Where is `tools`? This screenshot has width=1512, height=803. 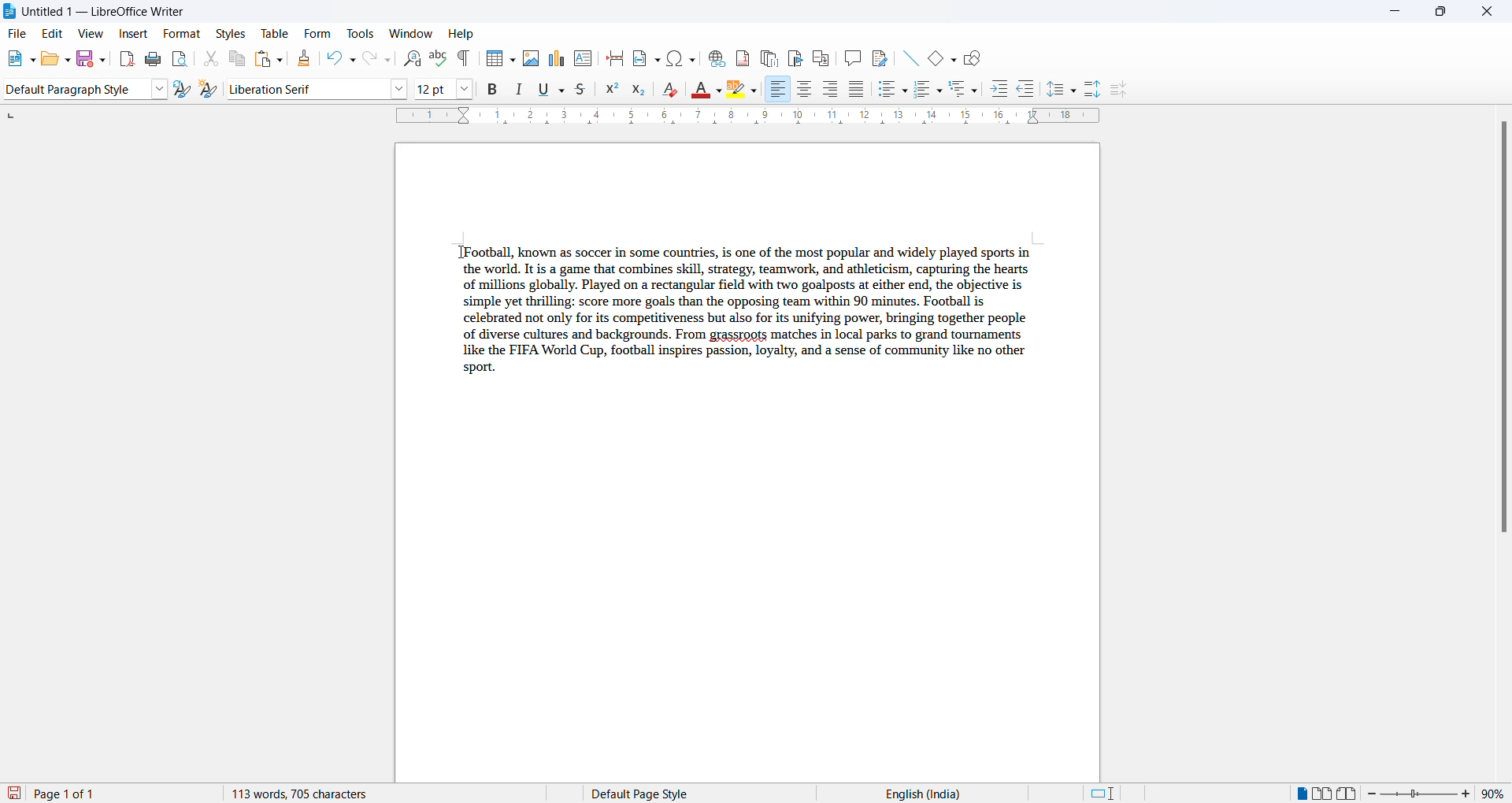
tools is located at coordinates (358, 32).